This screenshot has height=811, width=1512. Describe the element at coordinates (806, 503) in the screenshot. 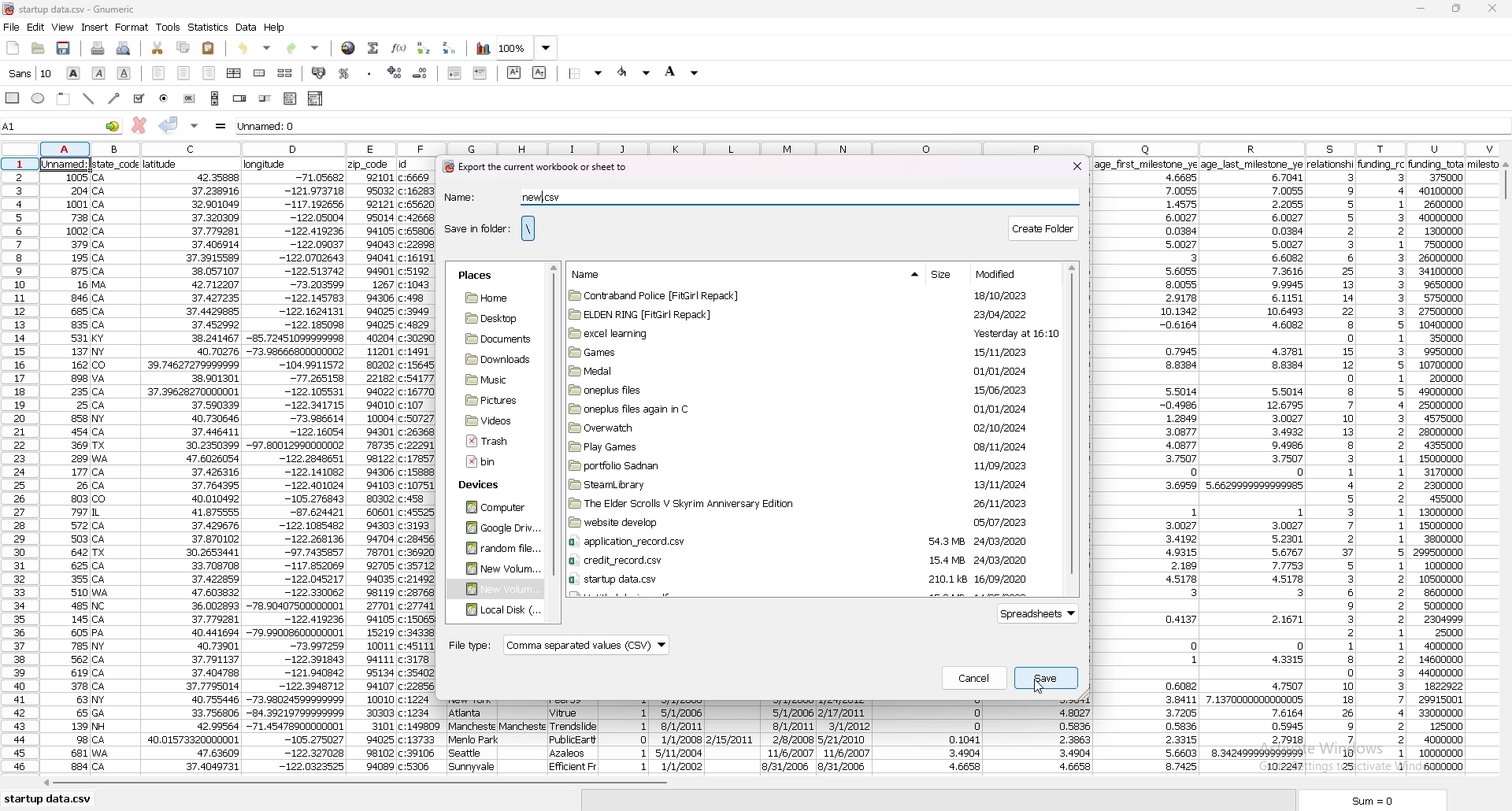

I see `folder` at that location.